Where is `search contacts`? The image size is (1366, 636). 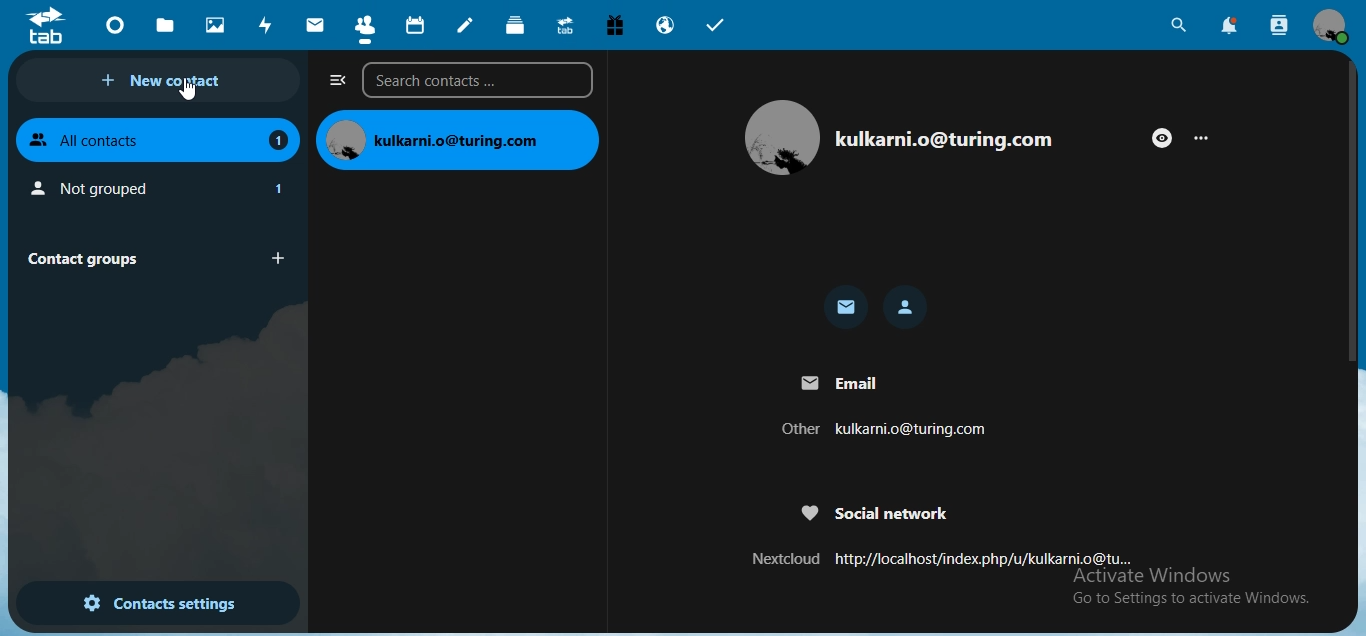
search contacts is located at coordinates (476, 82).